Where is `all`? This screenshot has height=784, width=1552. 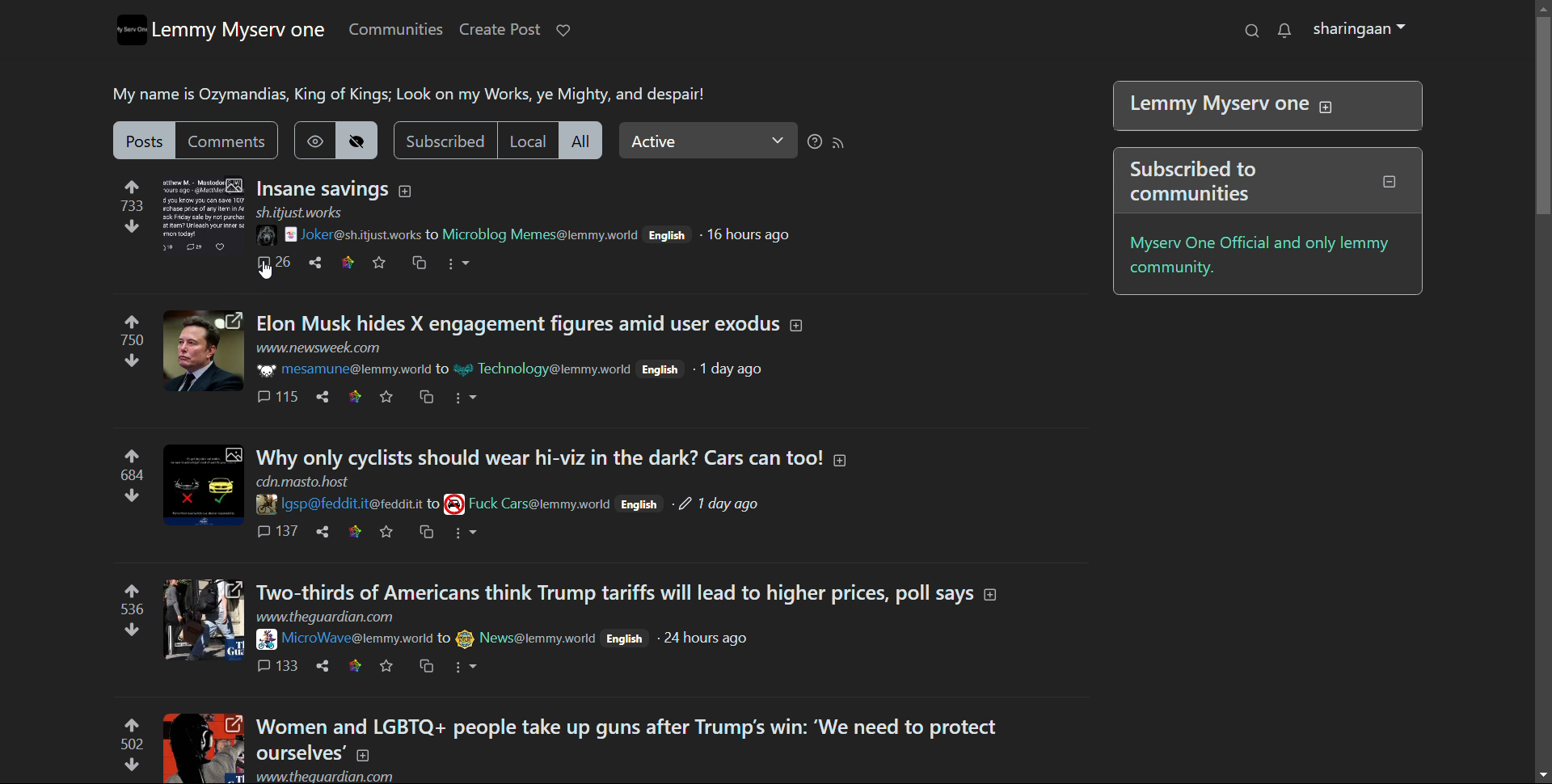 all is located at coordinates (580, 140).